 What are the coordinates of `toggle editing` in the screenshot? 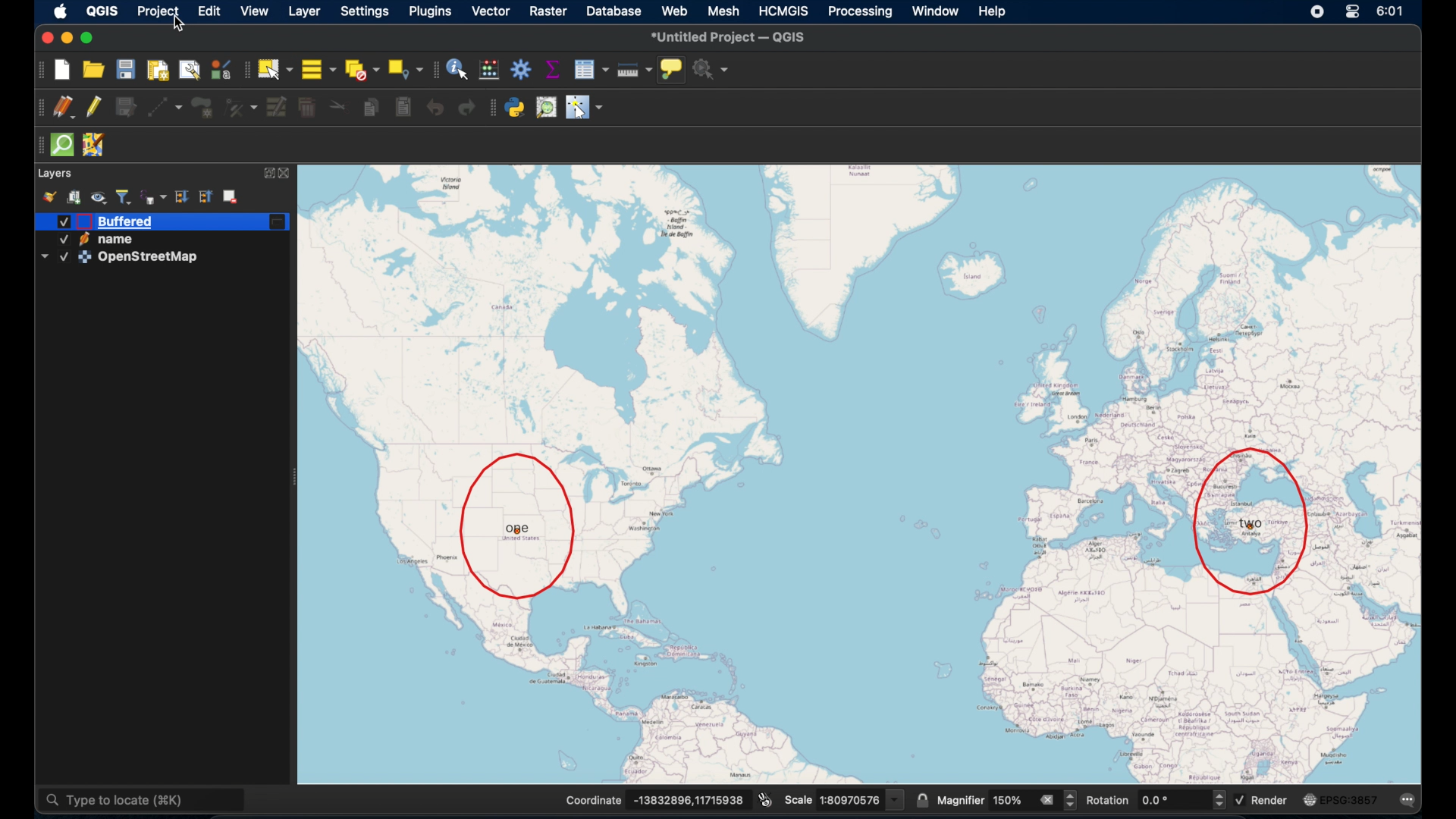 It's located at (93, 106).